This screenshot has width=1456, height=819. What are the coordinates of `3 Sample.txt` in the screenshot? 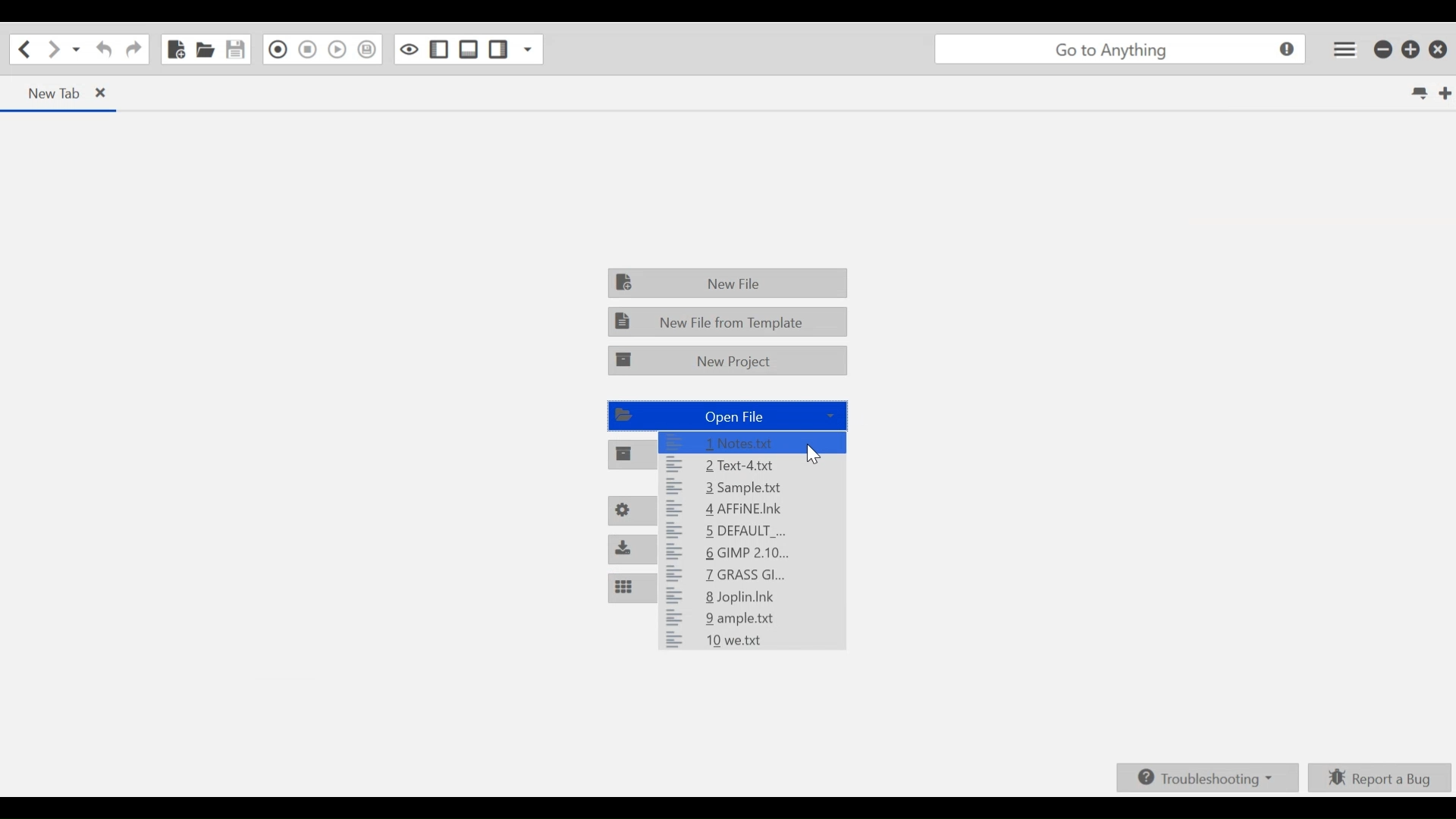 It's located at (761, 487).